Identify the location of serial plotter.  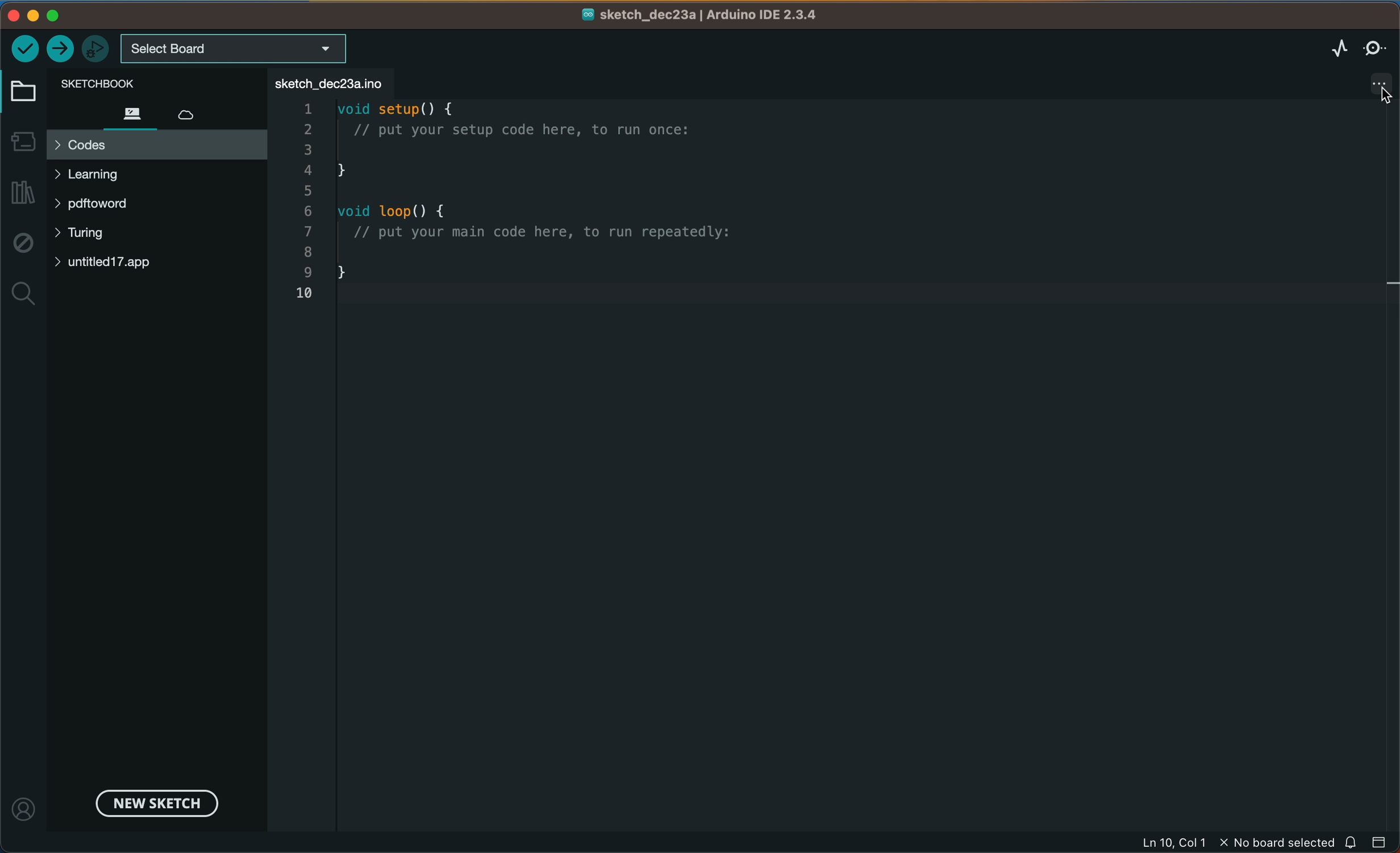
(1326, 48).